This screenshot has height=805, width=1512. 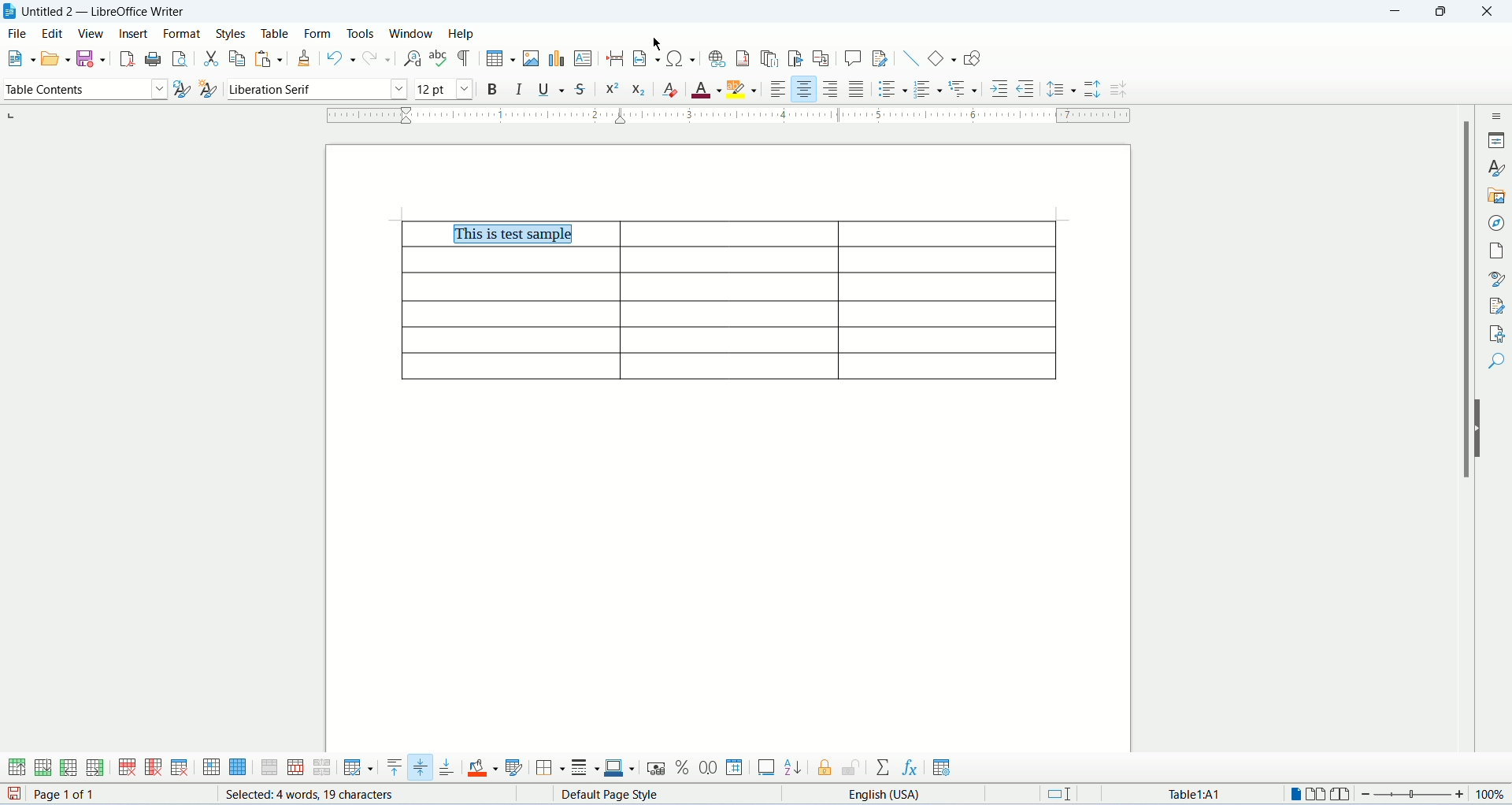 I want to click on save, so click(x=11, y=795).